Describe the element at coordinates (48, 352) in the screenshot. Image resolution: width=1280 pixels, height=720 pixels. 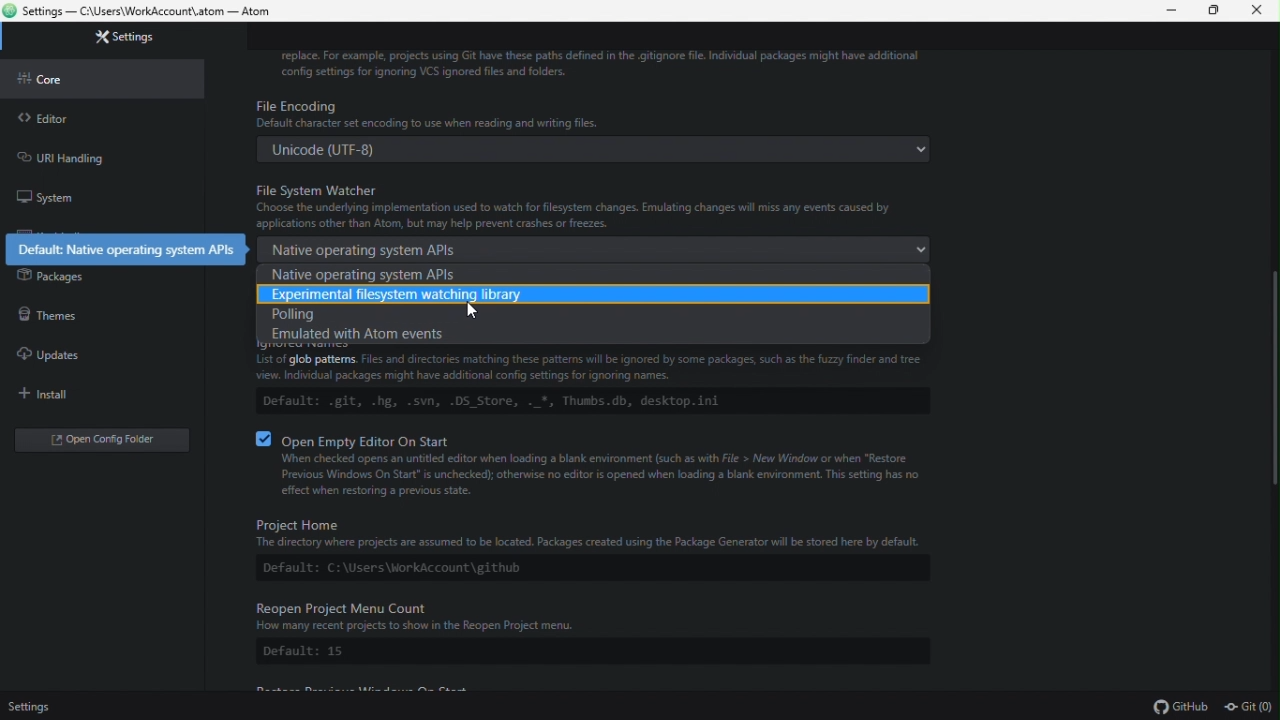
I see `Updates` at that location.